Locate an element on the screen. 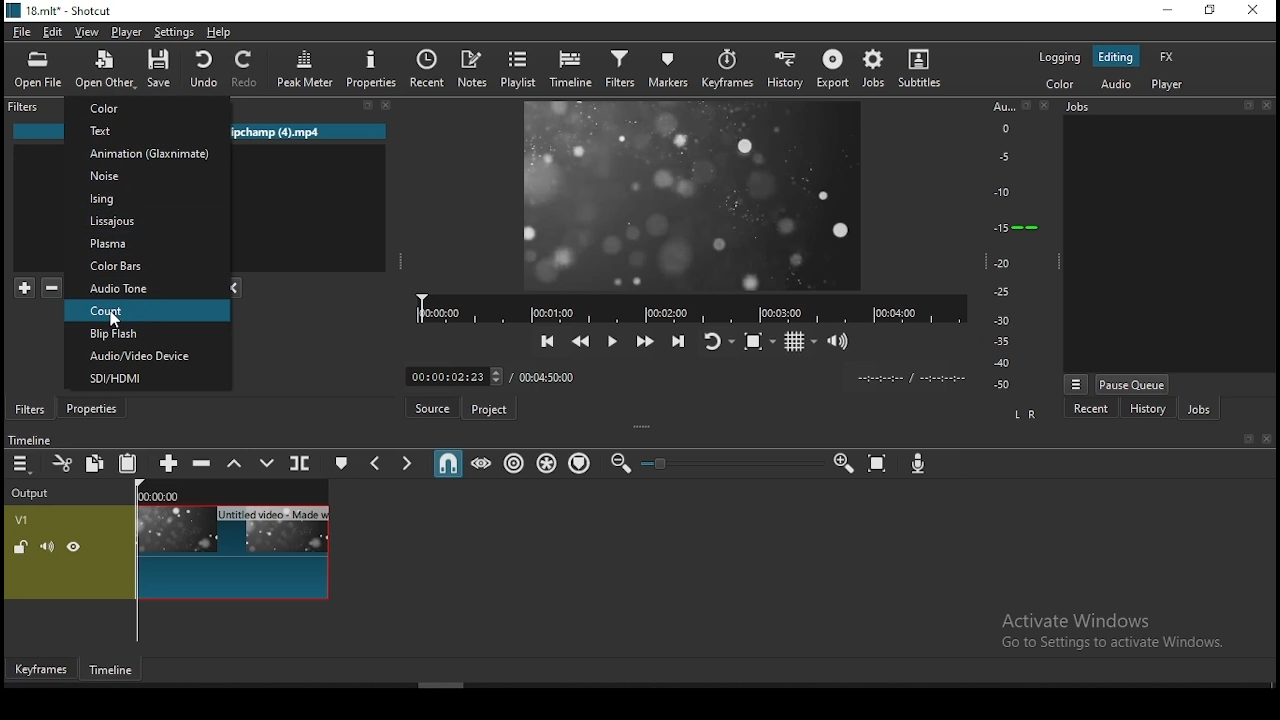 This screenshot has width=1280, height=720. playlist is located at coordinates (519, 69).